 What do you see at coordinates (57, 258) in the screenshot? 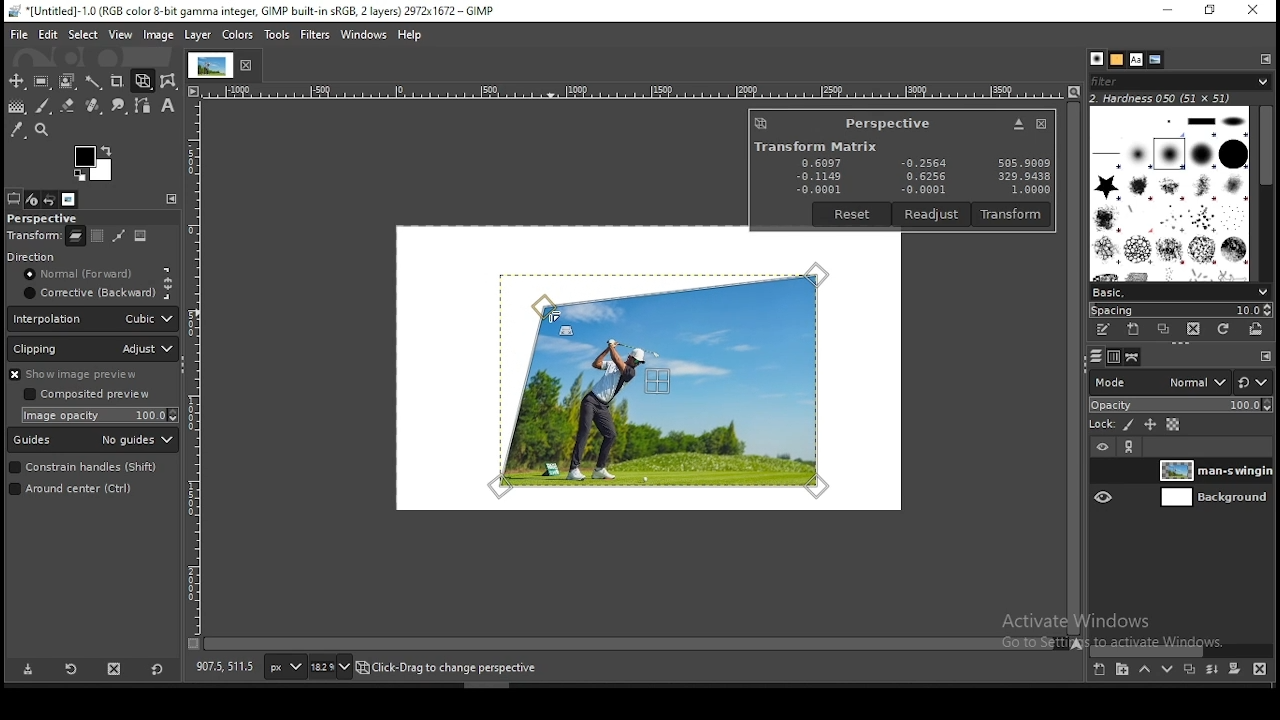
I see `direction` at bounding box center [57, 258].